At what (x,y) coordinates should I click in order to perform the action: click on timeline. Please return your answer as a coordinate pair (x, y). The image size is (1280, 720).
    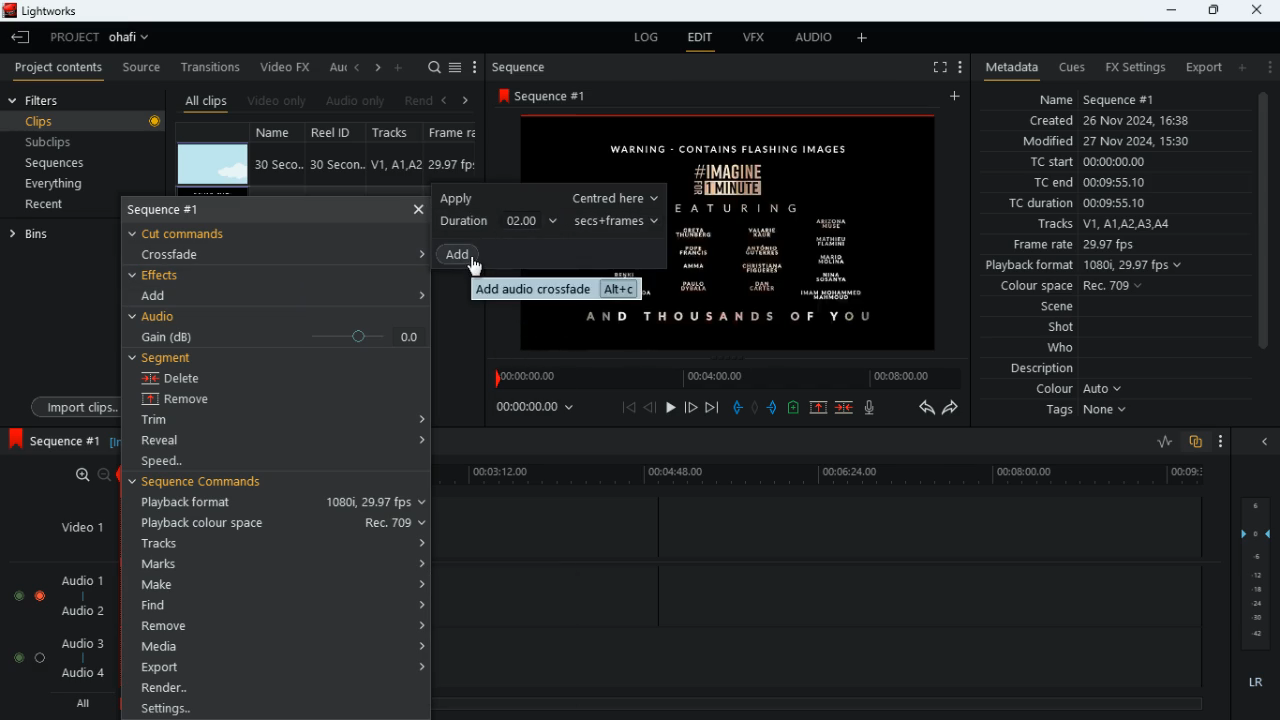
    Looking at the image, I should click on (828, 476).